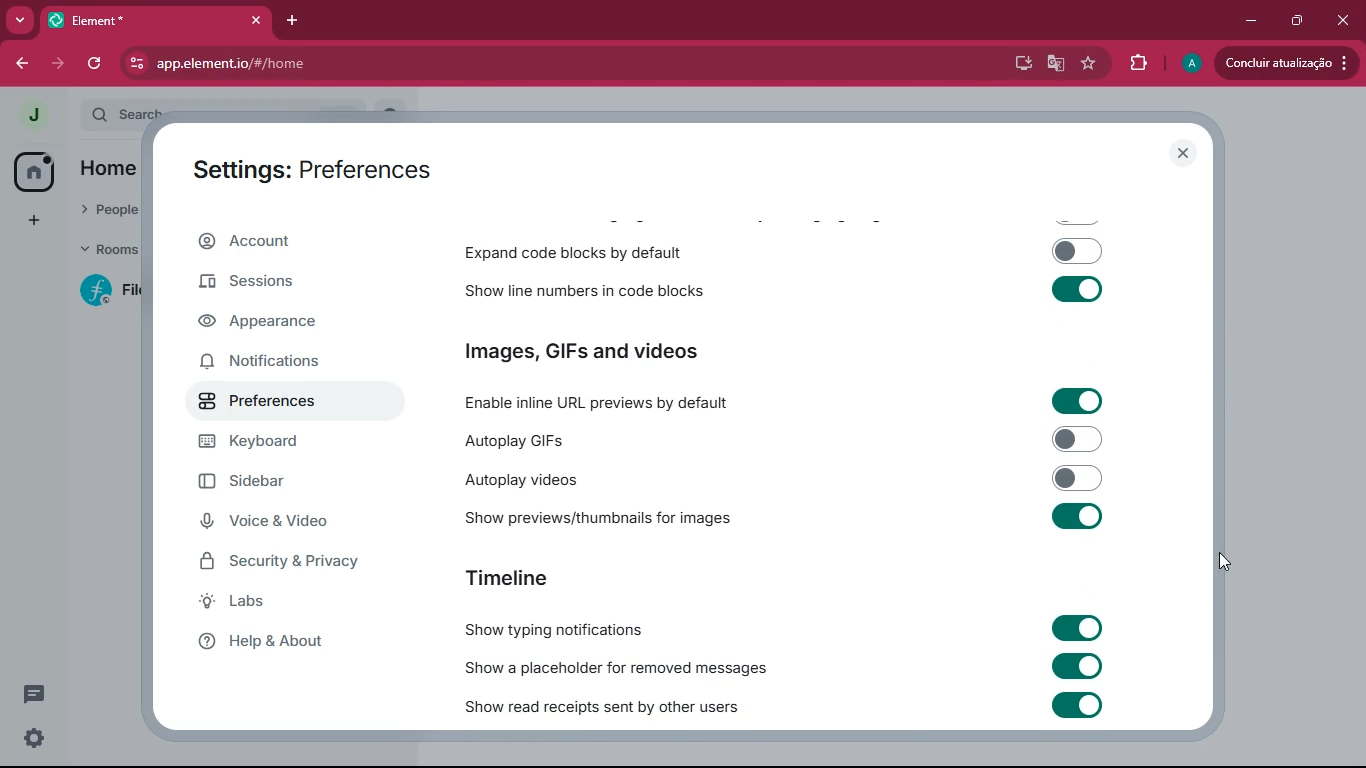 The image size is (1366, 768). I want to click on voice & video, so click(277, 523).